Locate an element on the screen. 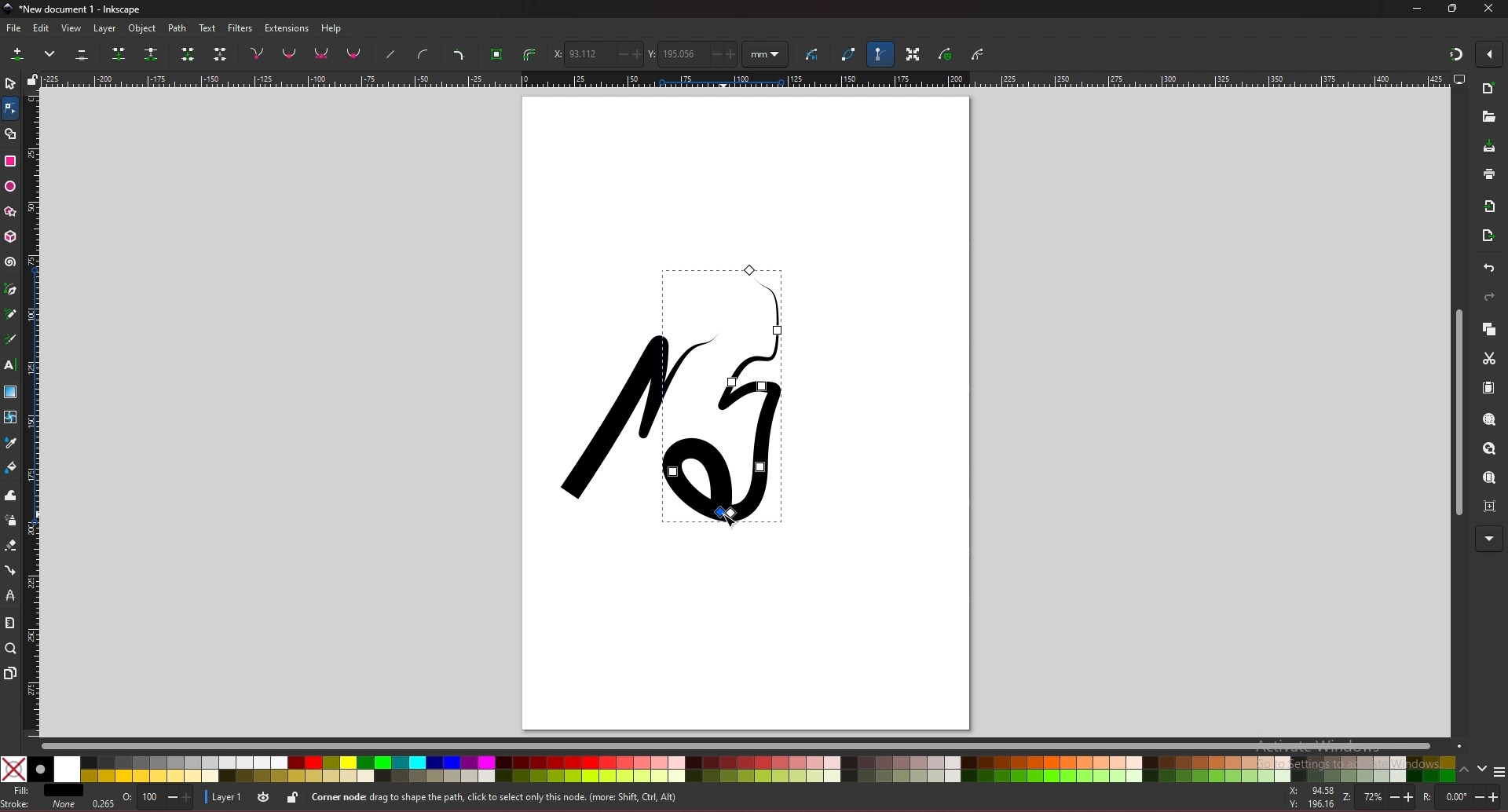  shape builder is located at coordinates (11, 134).